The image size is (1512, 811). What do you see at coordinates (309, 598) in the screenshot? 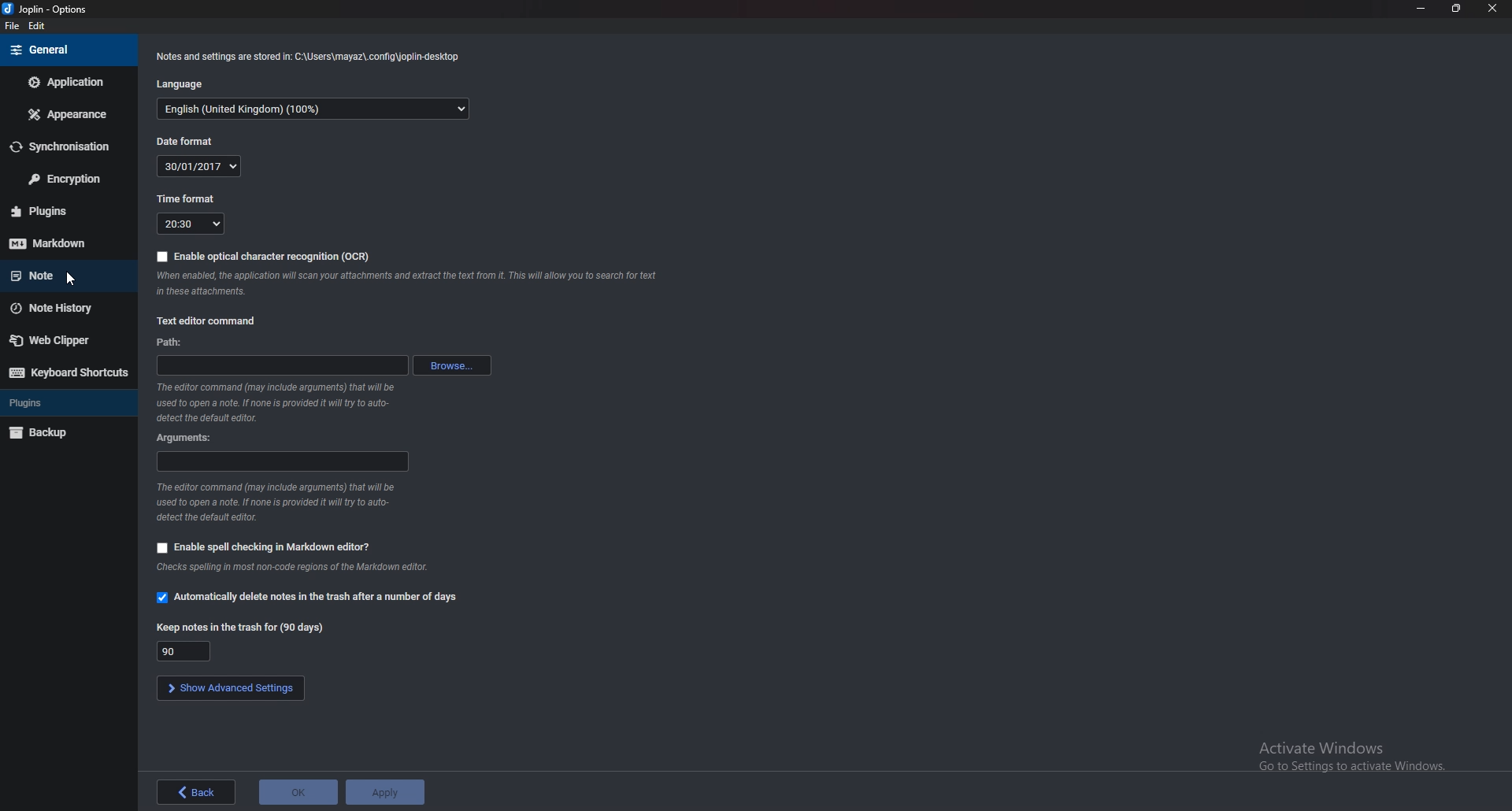
I see `Automatically delete notes` at bounding box center [309, 598].